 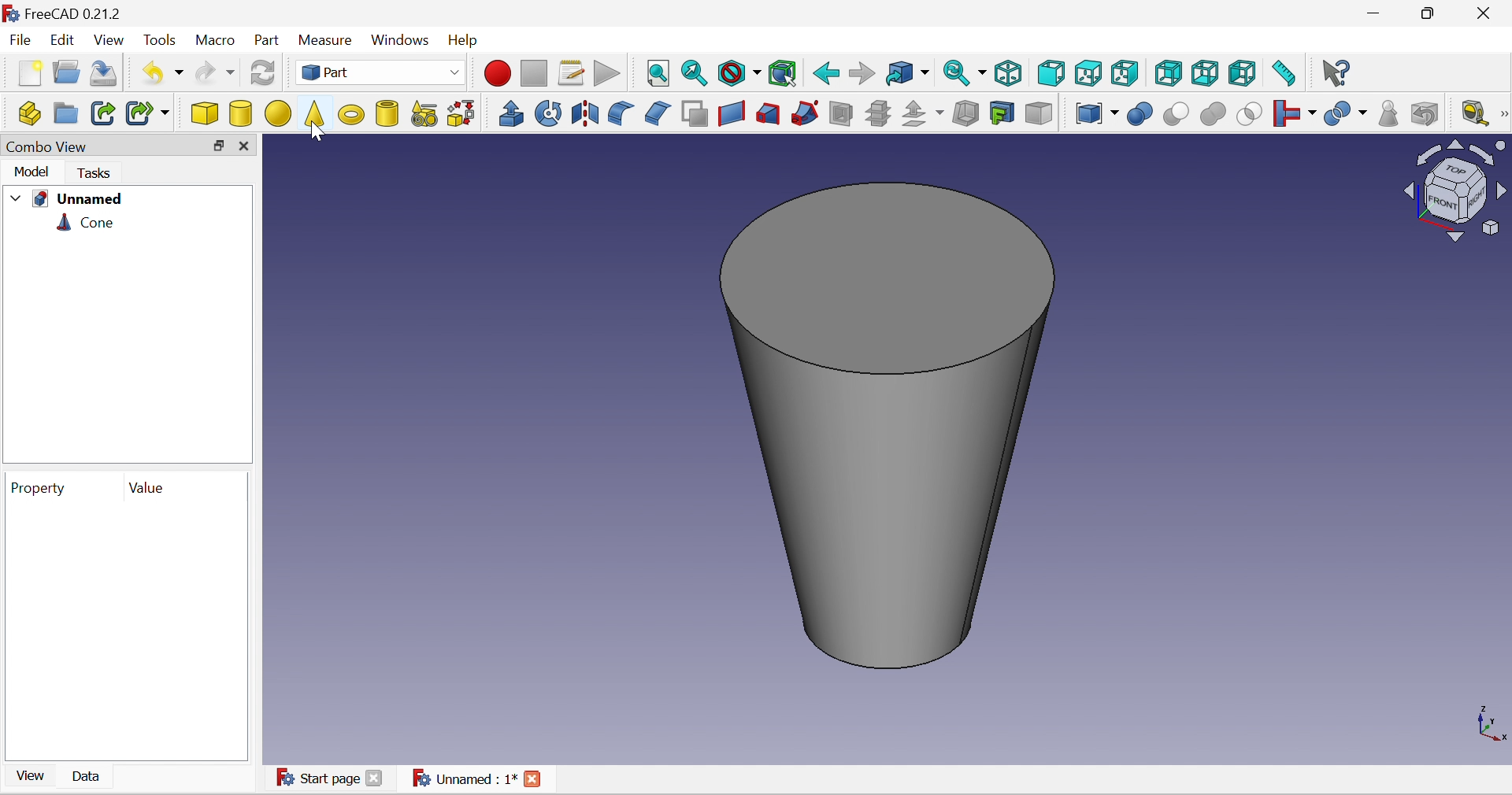 I want to click on Unnamed, so click(x=69, y=199).